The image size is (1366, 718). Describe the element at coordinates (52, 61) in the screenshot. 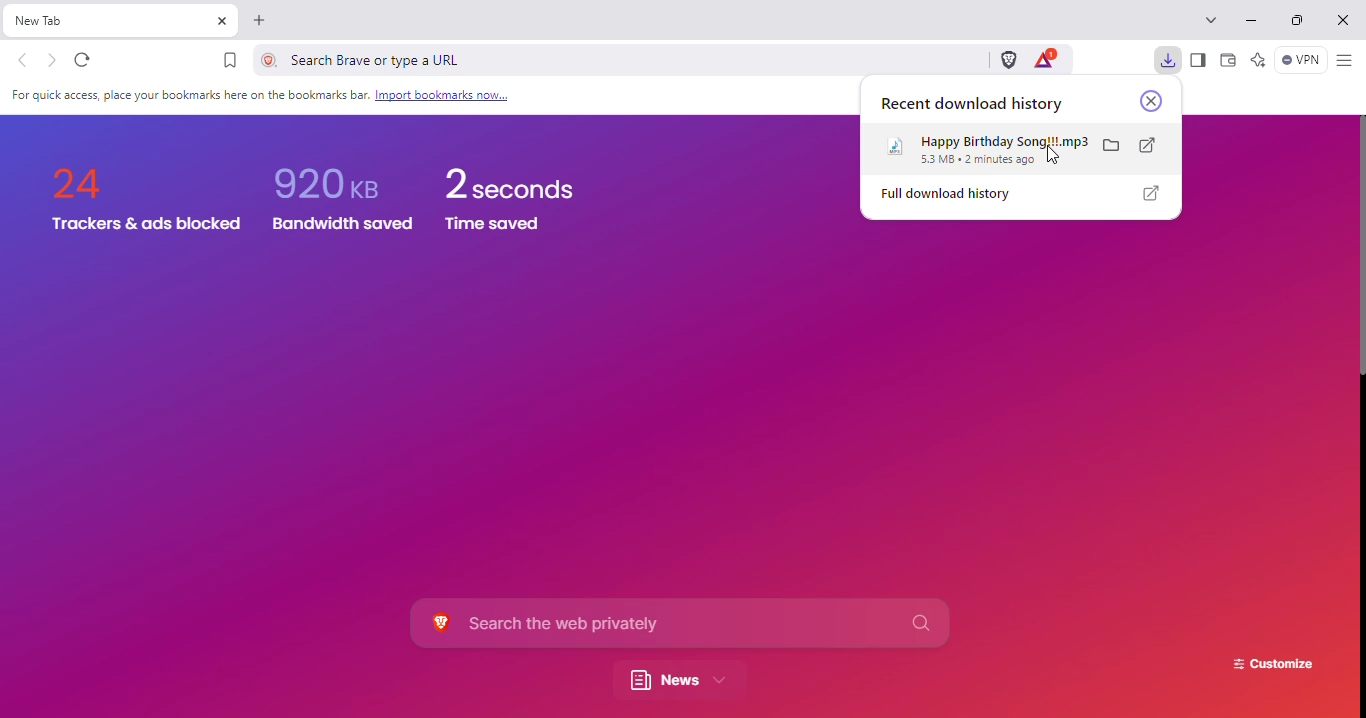

I see `click to go forward` at that location.